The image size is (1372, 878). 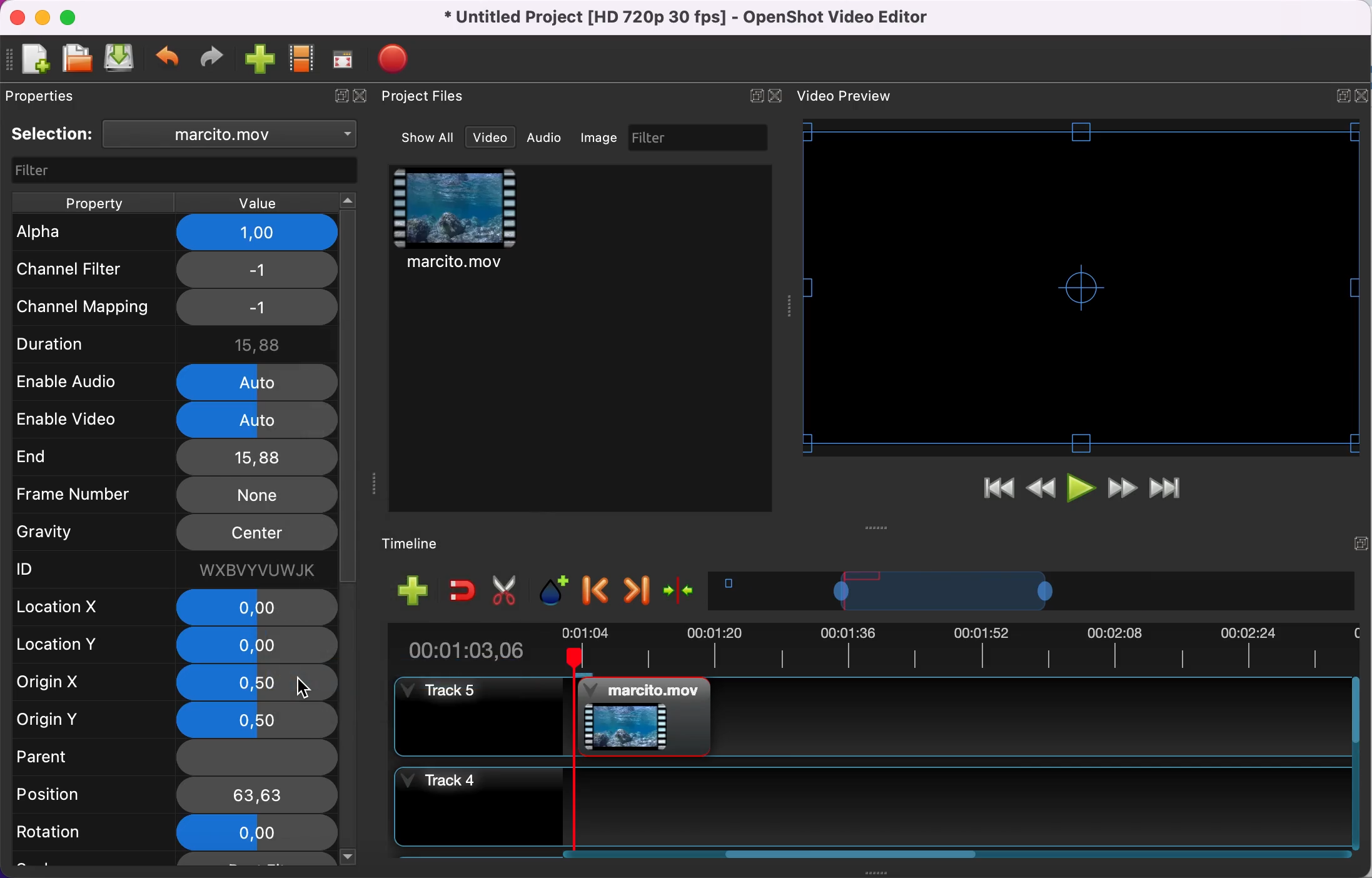 I want to click on origin y 0, so click(x=175, y=720).